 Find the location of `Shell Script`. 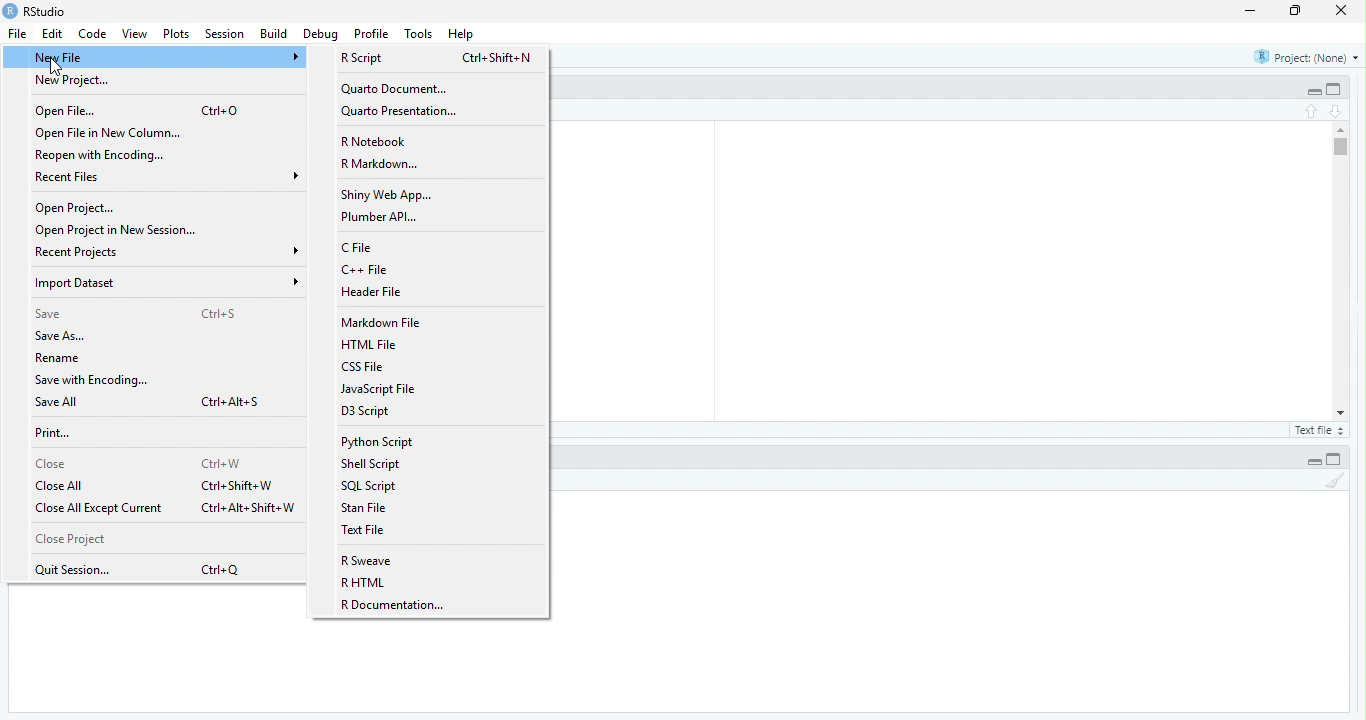

Shell Script is located at coordinates (371, 463).